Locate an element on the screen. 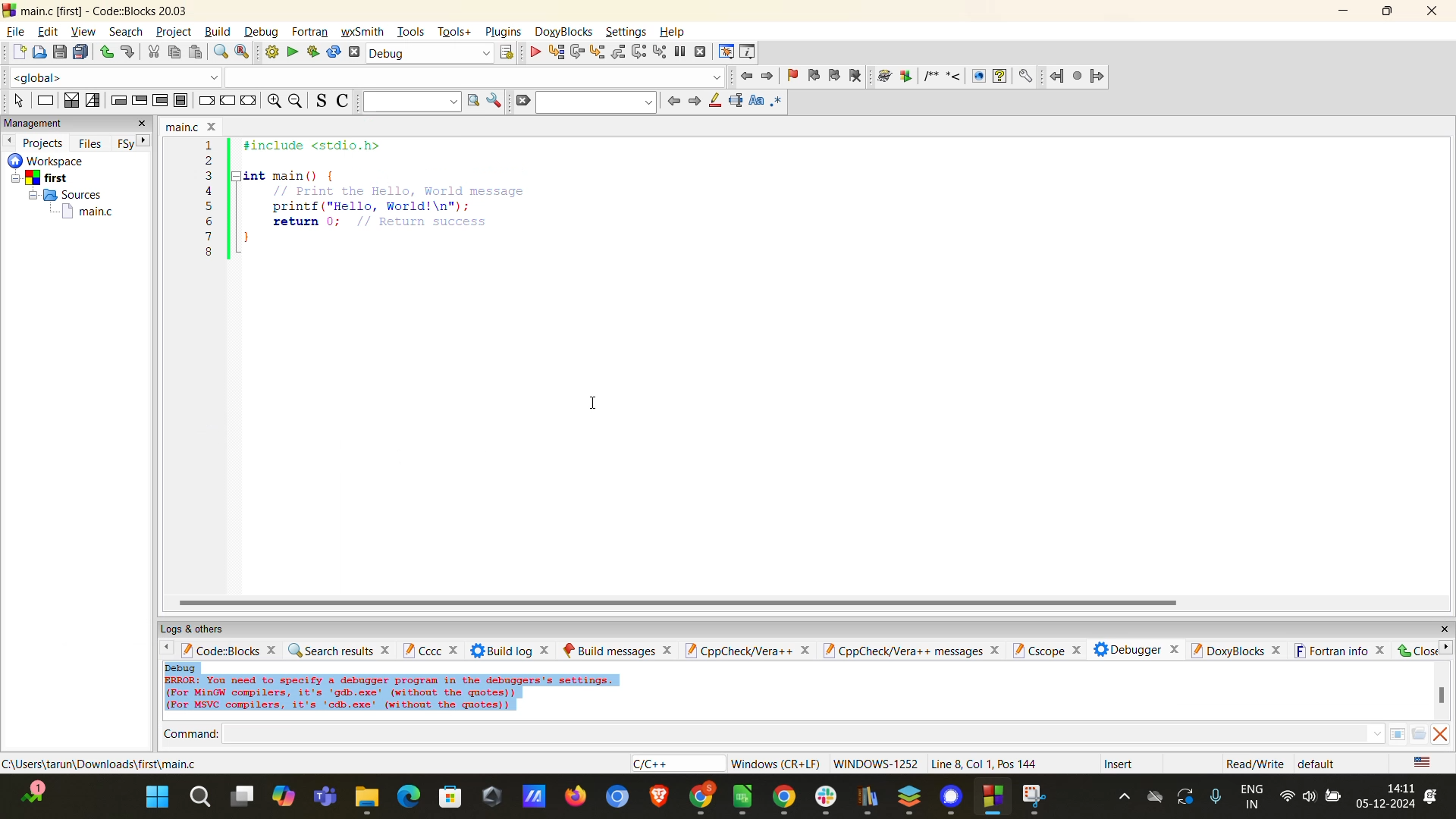  debugger is located at coordinates (1136, 651).